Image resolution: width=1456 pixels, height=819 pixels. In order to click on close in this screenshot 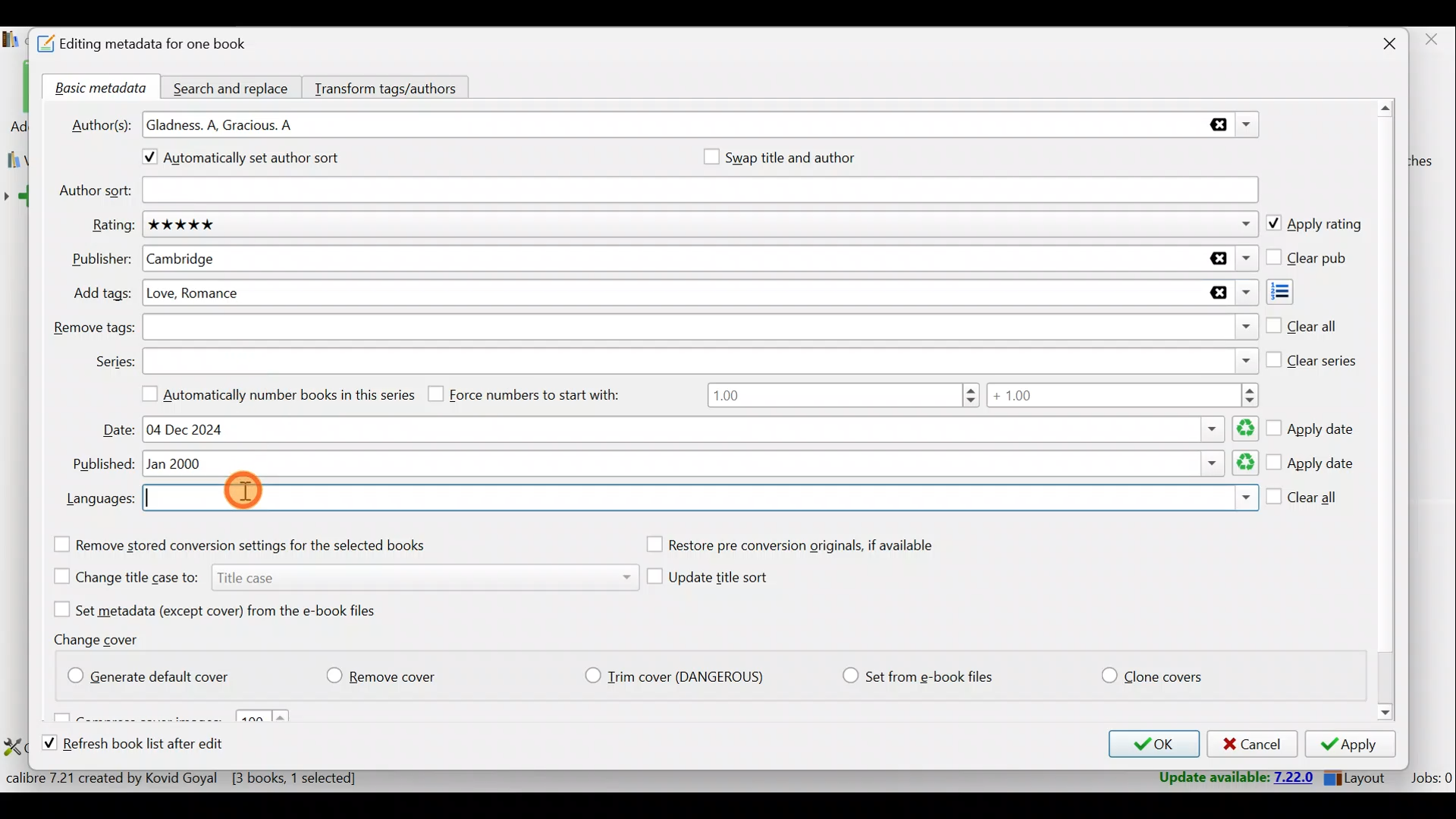, I will do `click(1430, 40)`.